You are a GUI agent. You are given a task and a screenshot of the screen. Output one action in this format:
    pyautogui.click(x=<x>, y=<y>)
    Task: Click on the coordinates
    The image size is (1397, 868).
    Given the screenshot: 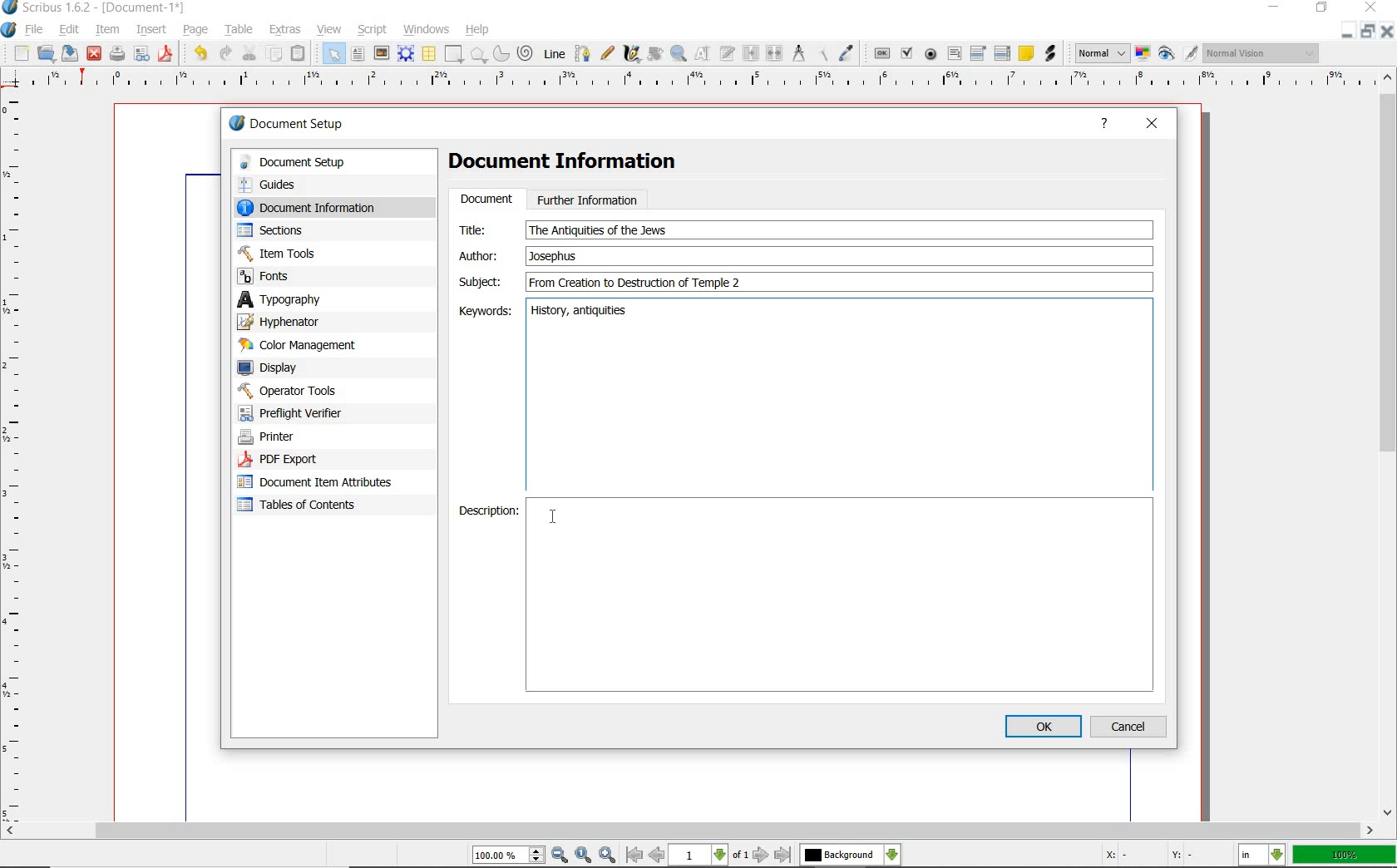 What is the action you would take?
    pyautogui.click(x=1147, y=856)
    